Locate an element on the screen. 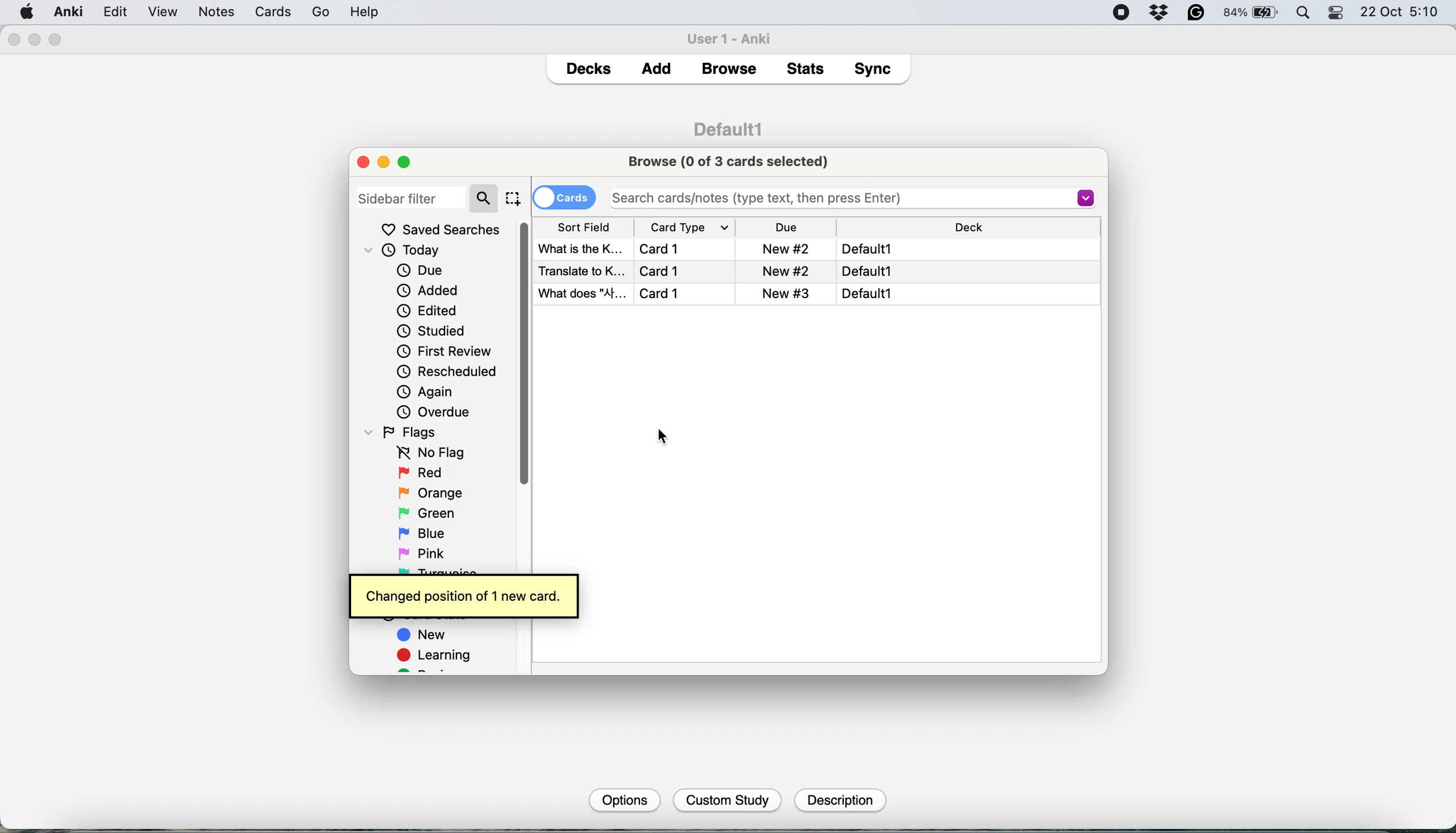  Custom study is located at coordinates (728, 801).